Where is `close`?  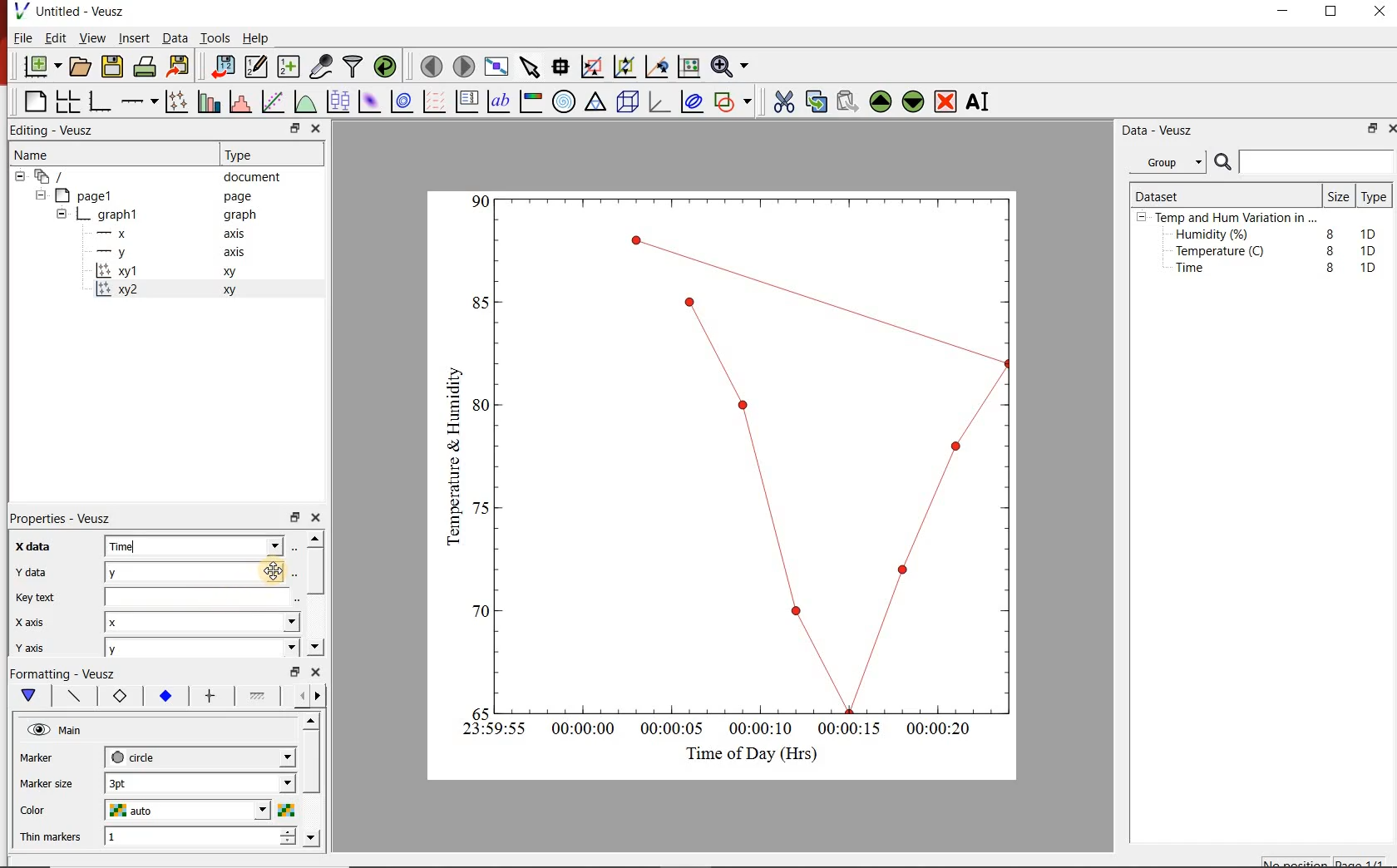
close is located at coordinates (318, 673).